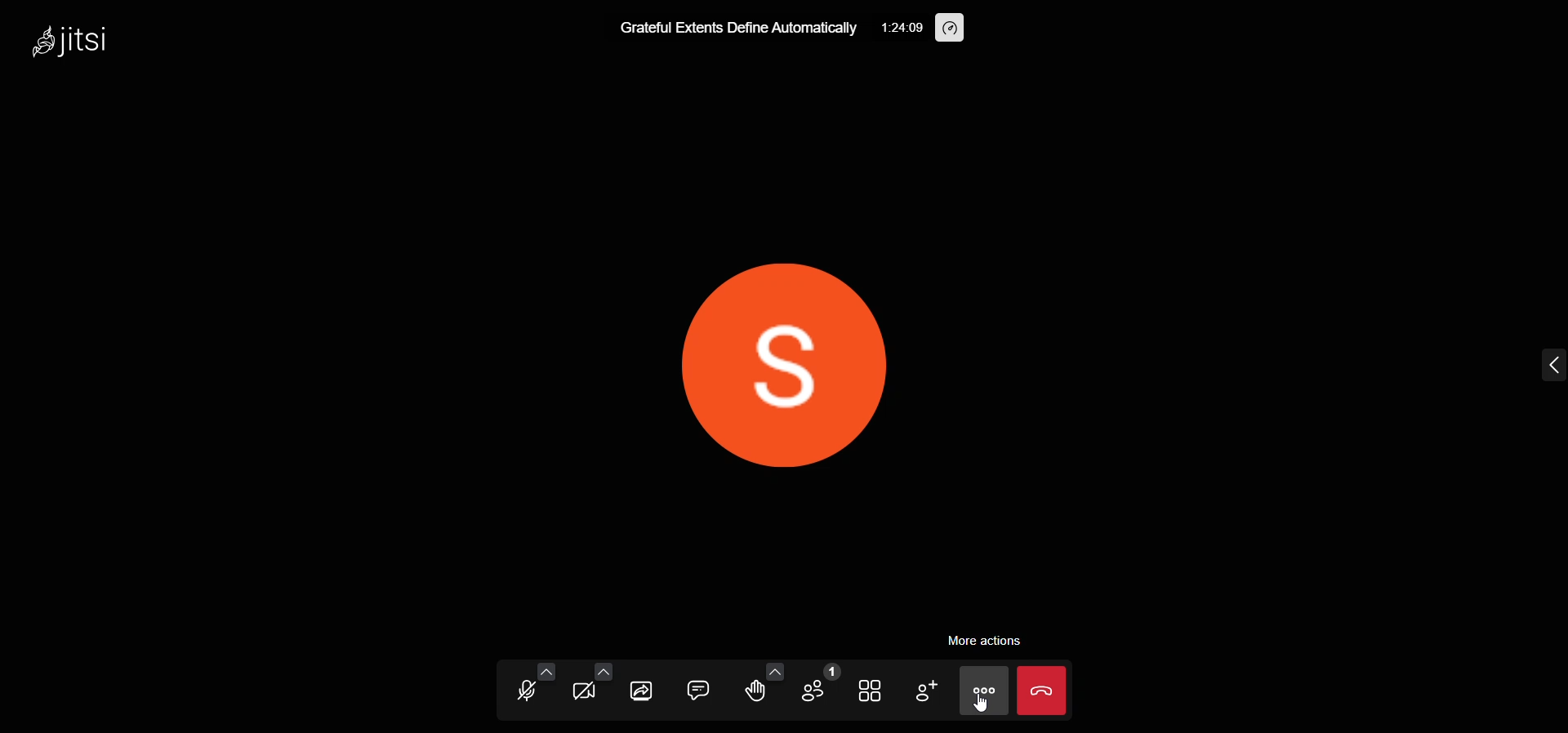 This screenshot has width=1568, height=733. What do you see at coordinates (1042, 691) in the screenshot?
I see `leave the meeting` at bounding box center [1042, 691].